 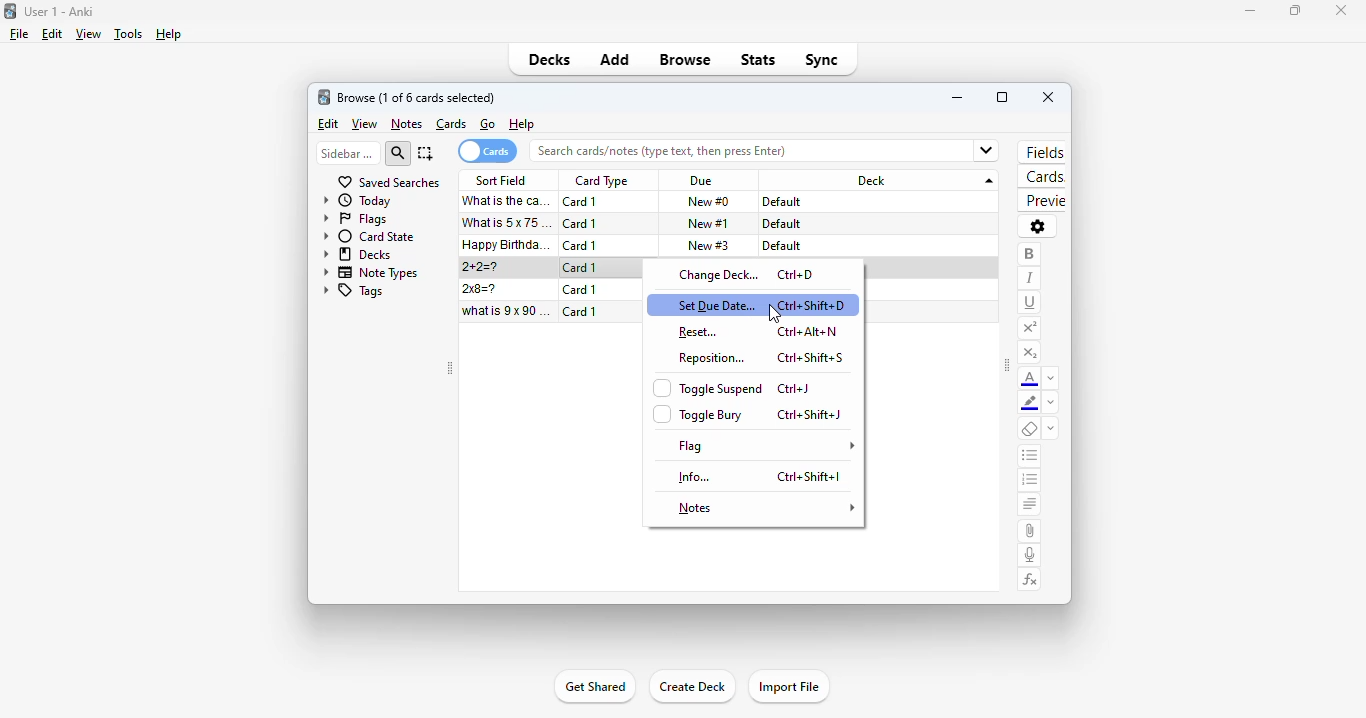 What do you see at coordinates (426, 153) in the screenshot?
I see `select` at bounding box center [426, 153].